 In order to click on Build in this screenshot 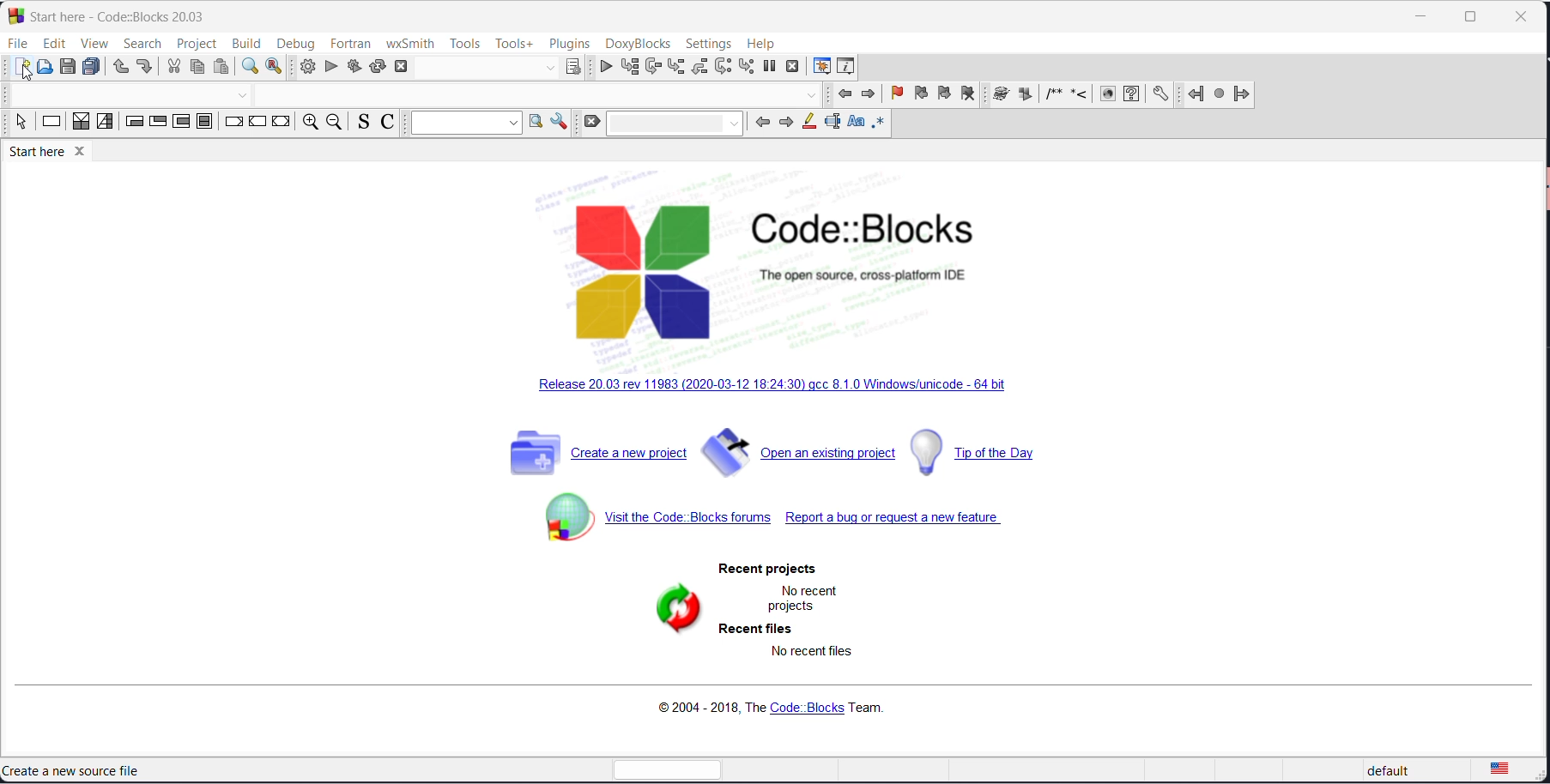, I will do `click(245, 41)`.